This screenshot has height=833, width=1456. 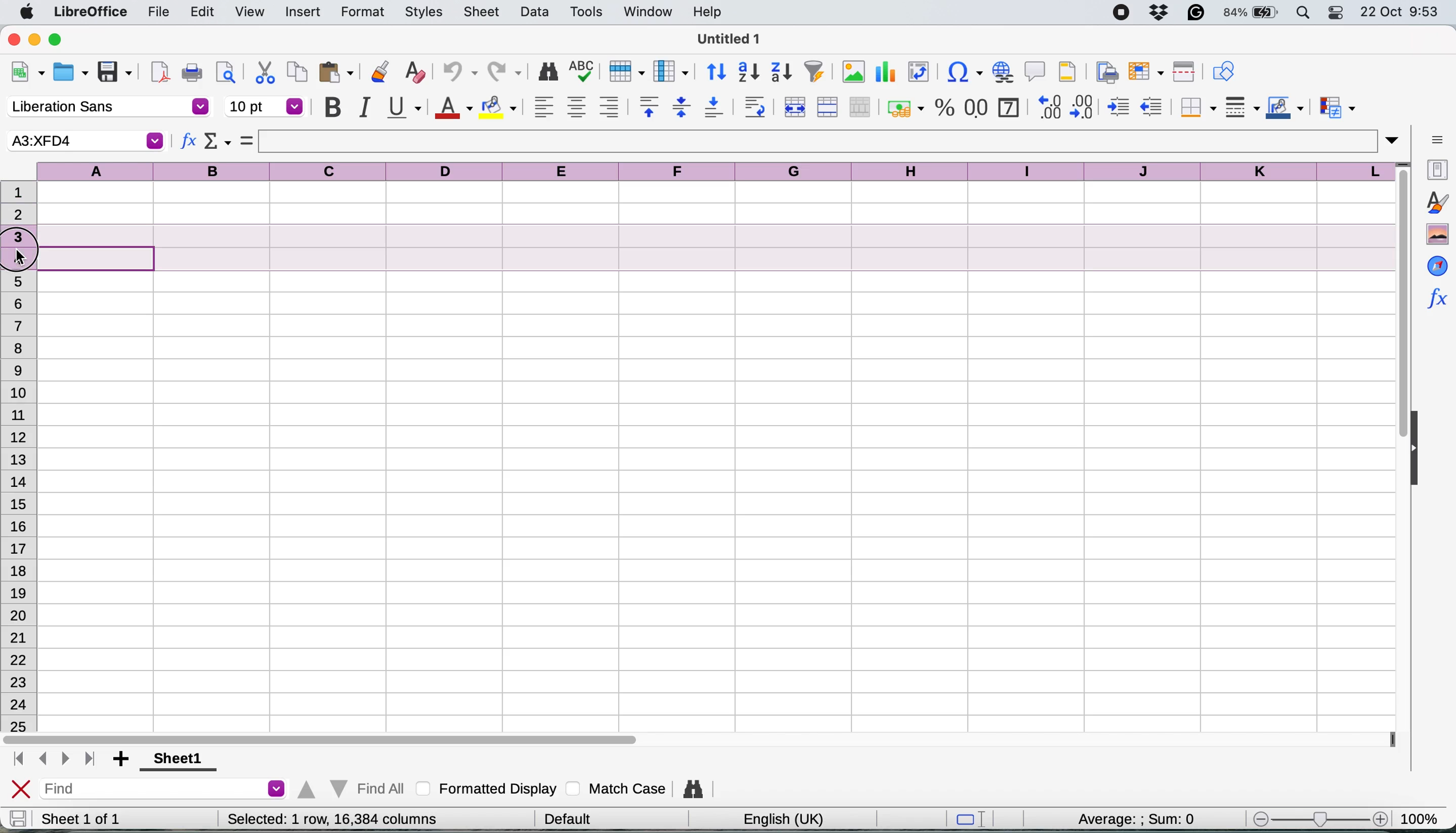 What do you see at coordinates (715, 107) in the screenshot?
I see `align bottom` at bounding box center [715, 107].